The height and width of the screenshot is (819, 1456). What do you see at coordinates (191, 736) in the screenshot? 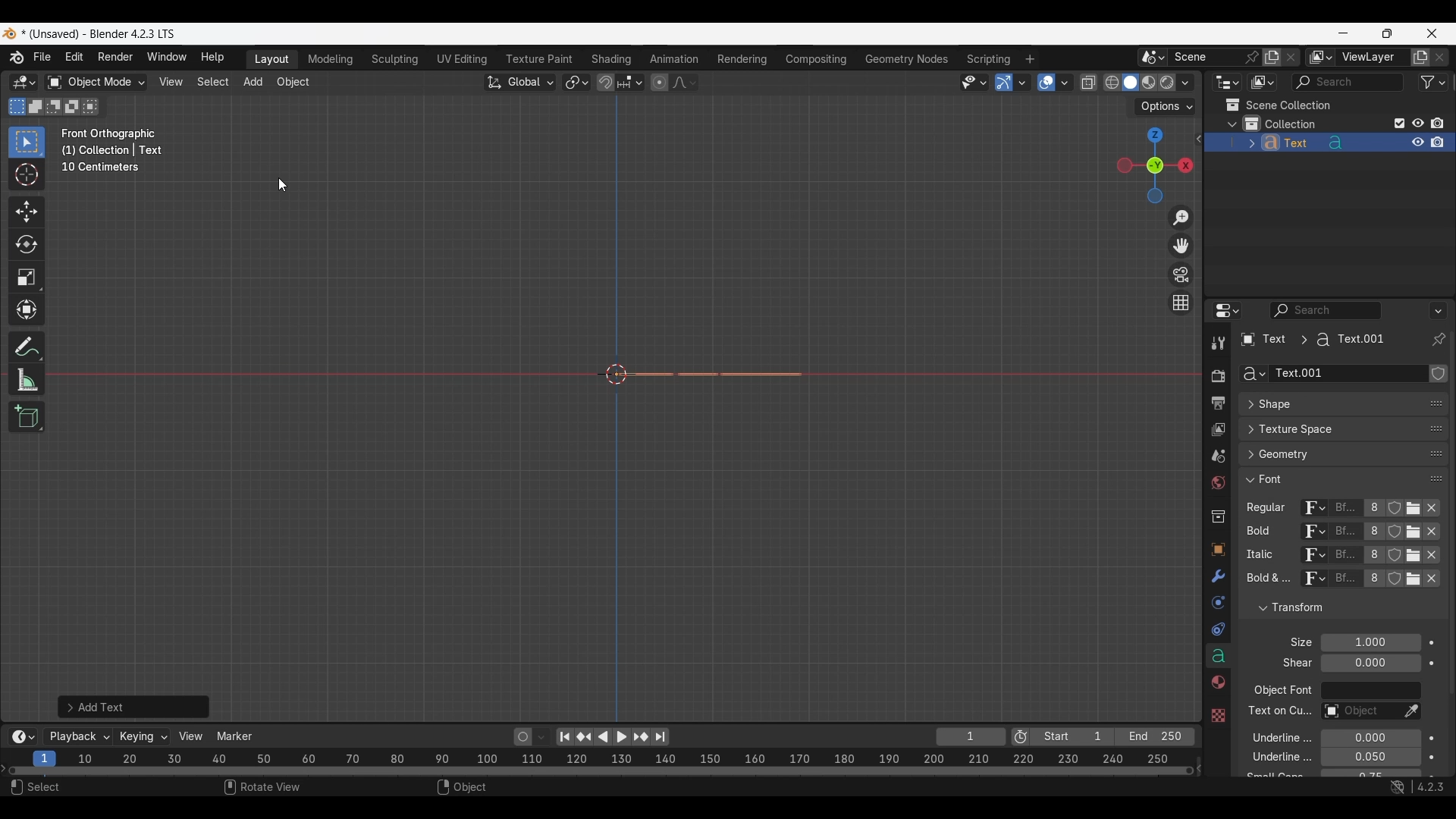
I see `View` at bounding box center [191, 736].